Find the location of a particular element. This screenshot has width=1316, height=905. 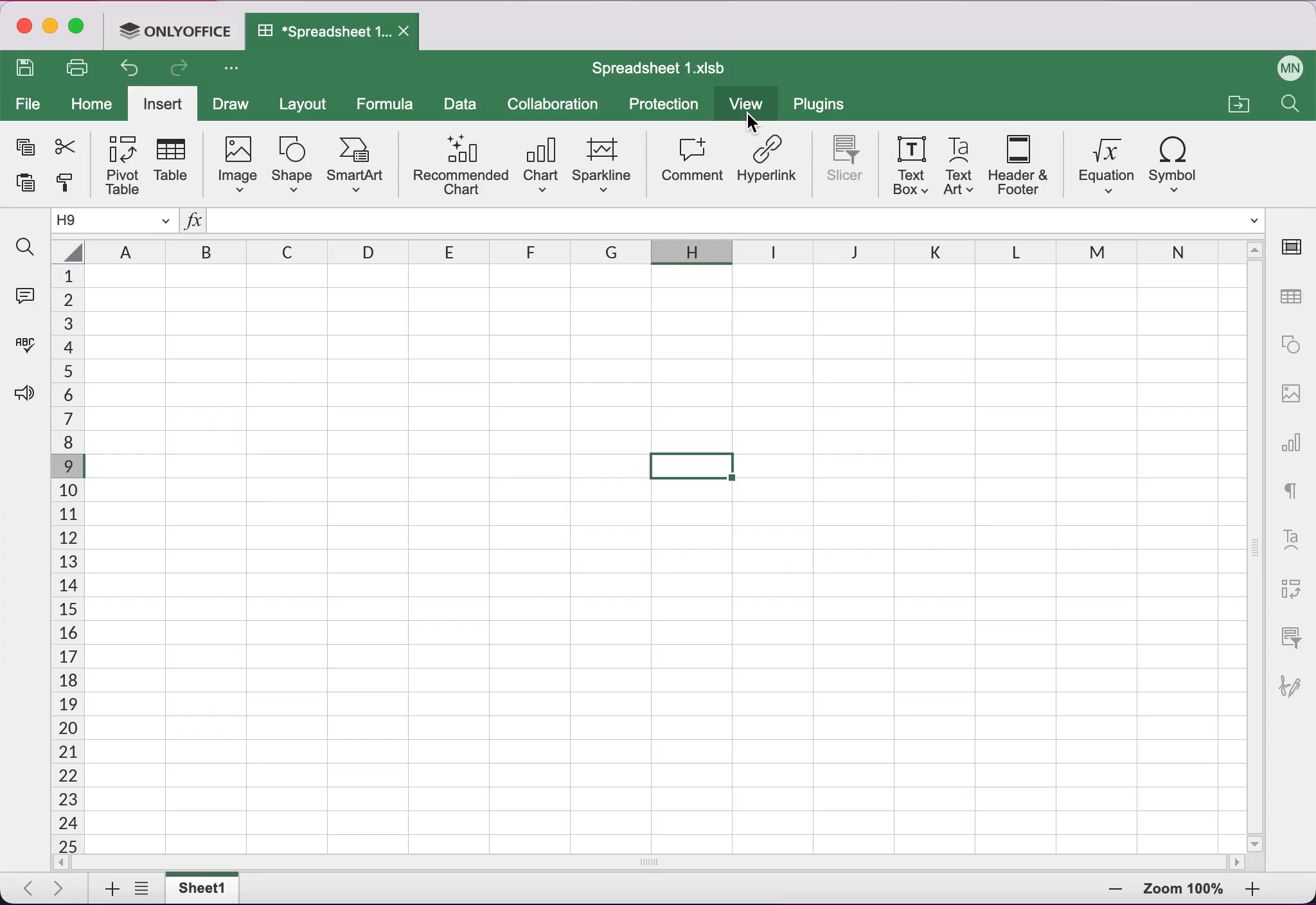

maximize is located at coordinates (79, 28).